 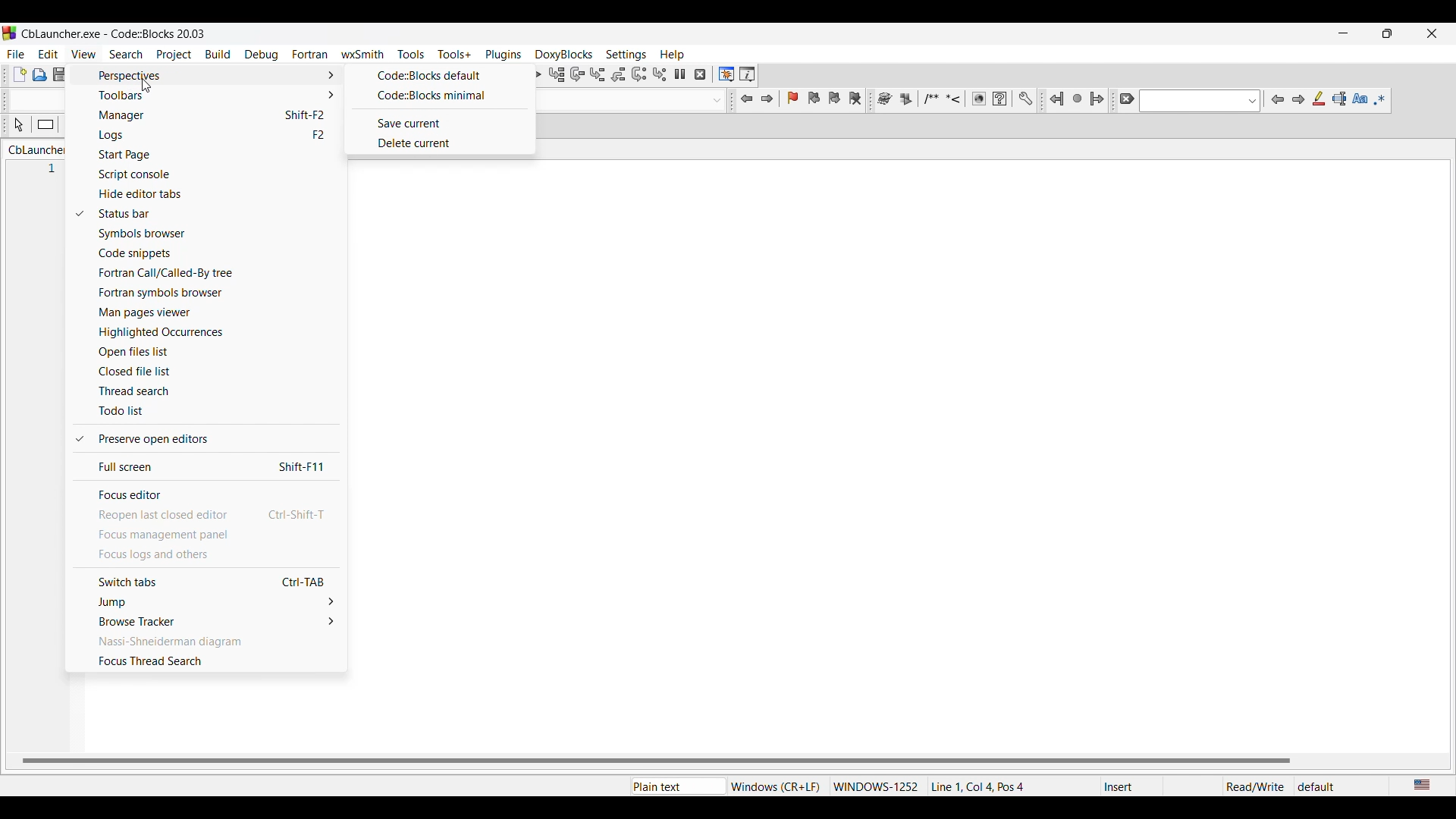 What do you see at coordinates (262, 55) in the screenshot?
I see `Debug menu` at bounding box center [262, 55].